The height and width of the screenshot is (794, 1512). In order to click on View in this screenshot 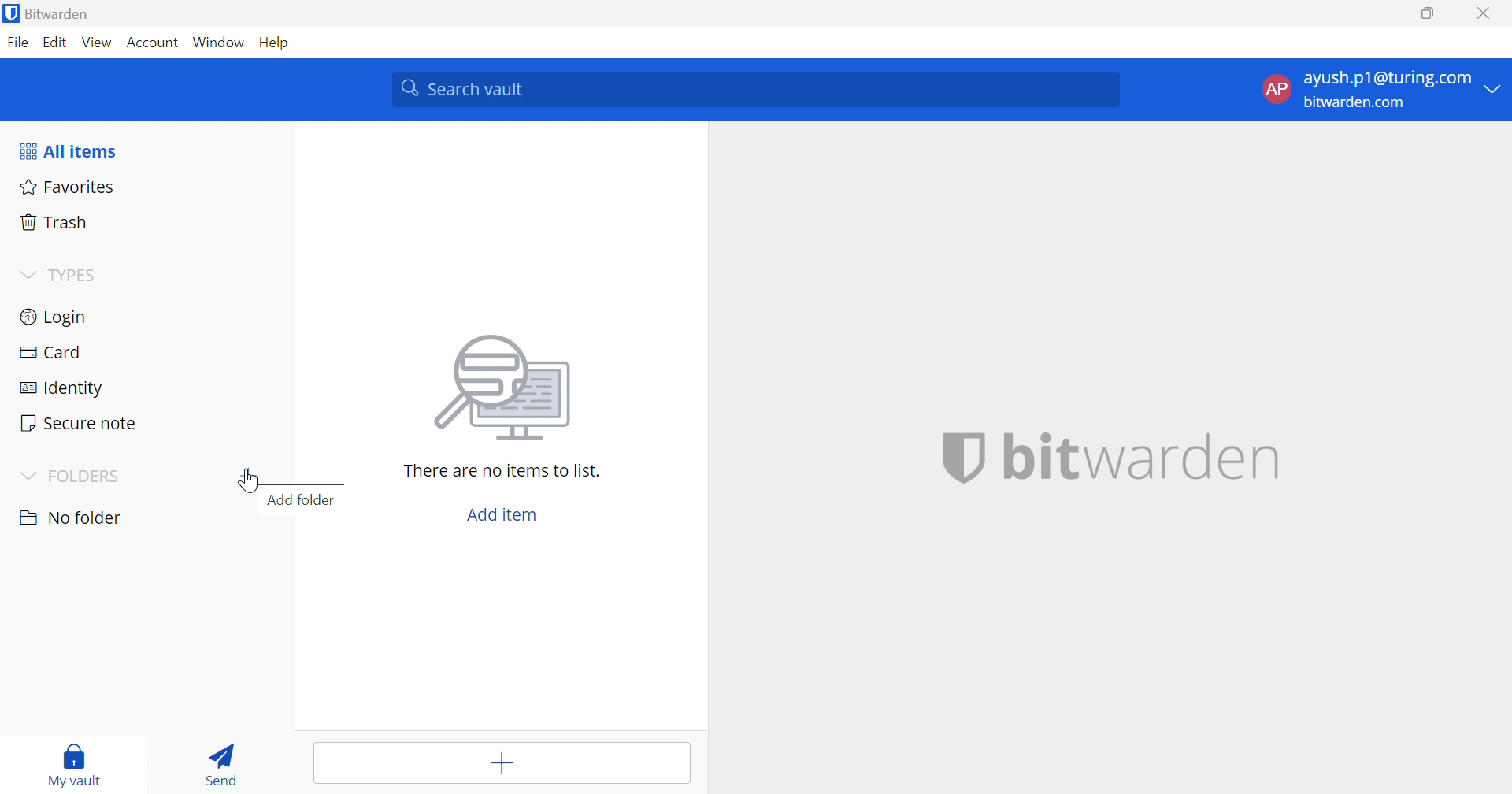, I will do `click(98, 43)`.